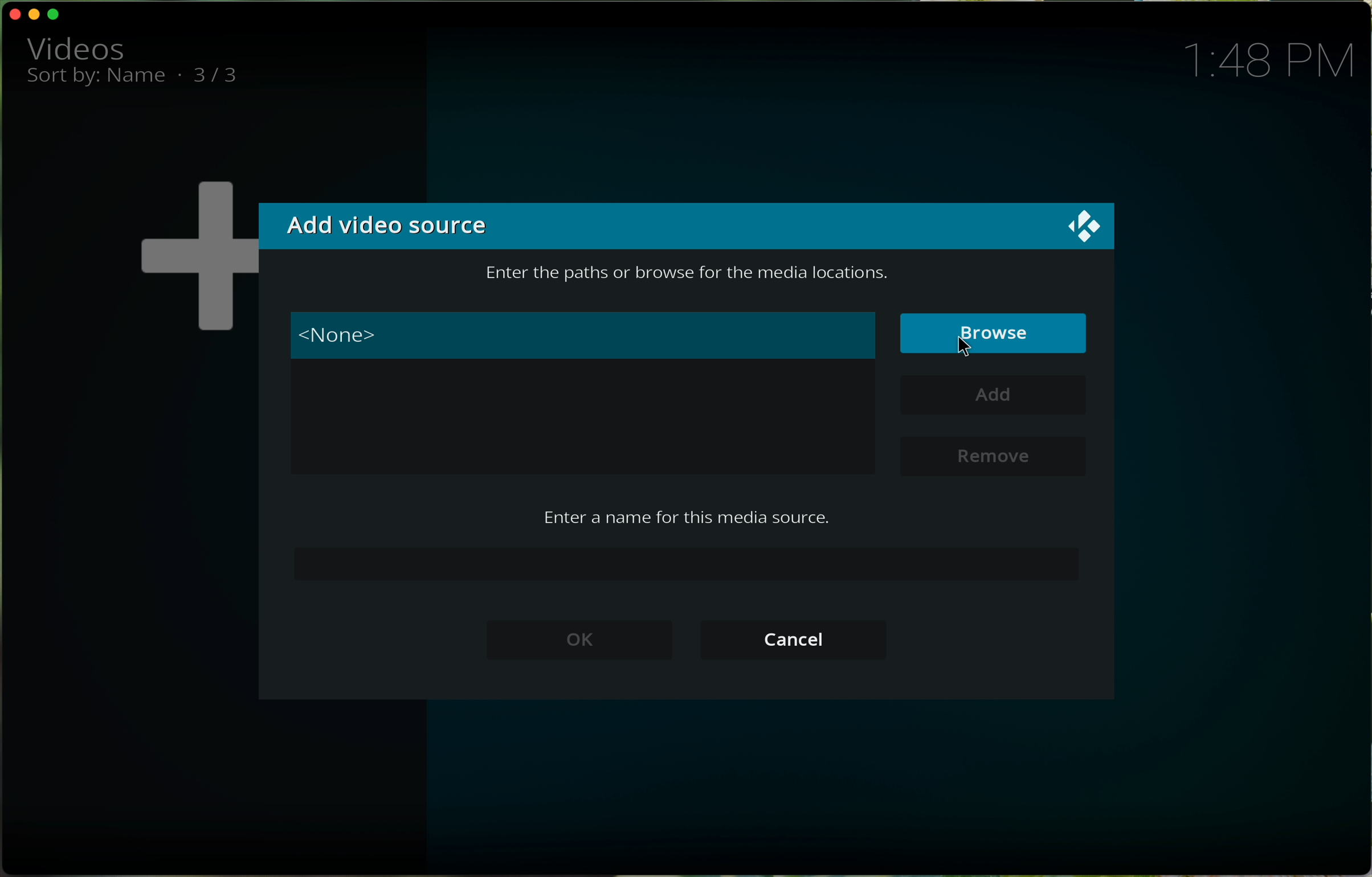 The height and width of the screenshot is (877, 1372). I want to click on OK button, so click(581, 641).